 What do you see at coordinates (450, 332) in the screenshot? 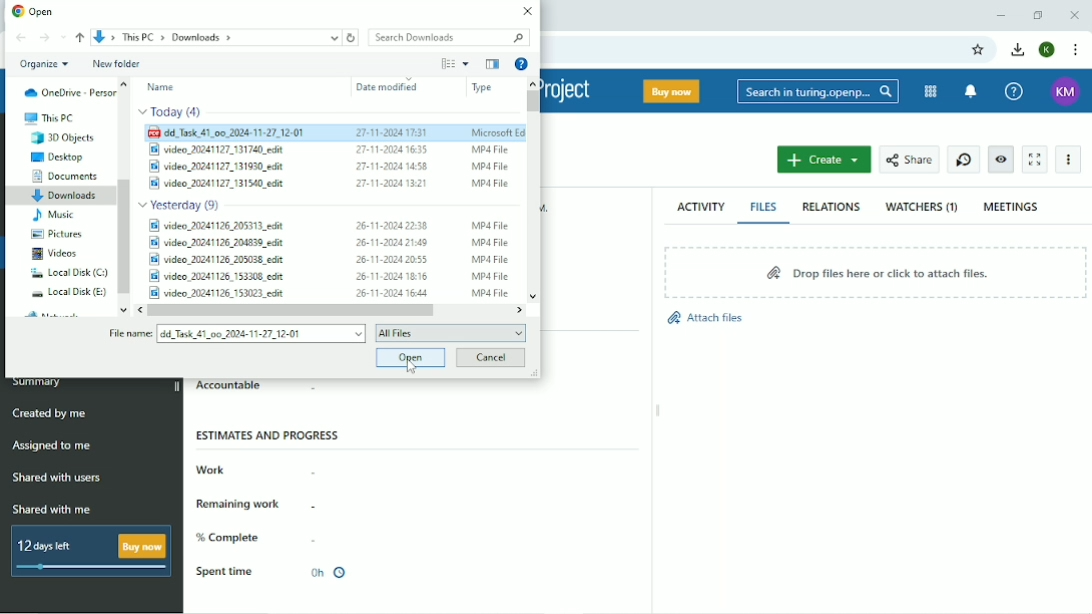
I see `All Files` at bounding box center [450, 332].